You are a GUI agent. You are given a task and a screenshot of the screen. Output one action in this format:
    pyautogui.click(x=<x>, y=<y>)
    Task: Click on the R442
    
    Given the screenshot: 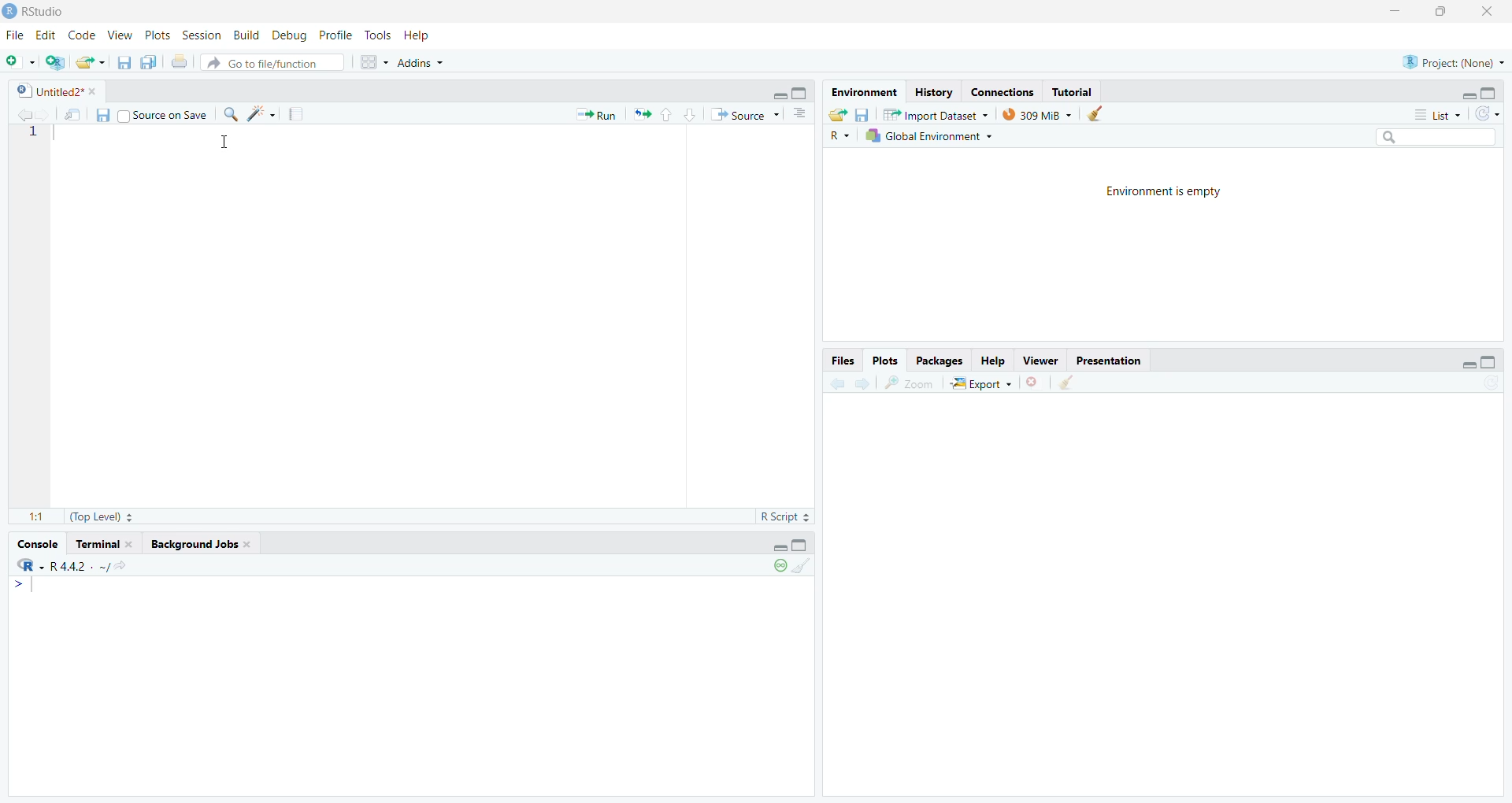 What is the action you would take?
    pyautogui.click(x=69, y=572)
    